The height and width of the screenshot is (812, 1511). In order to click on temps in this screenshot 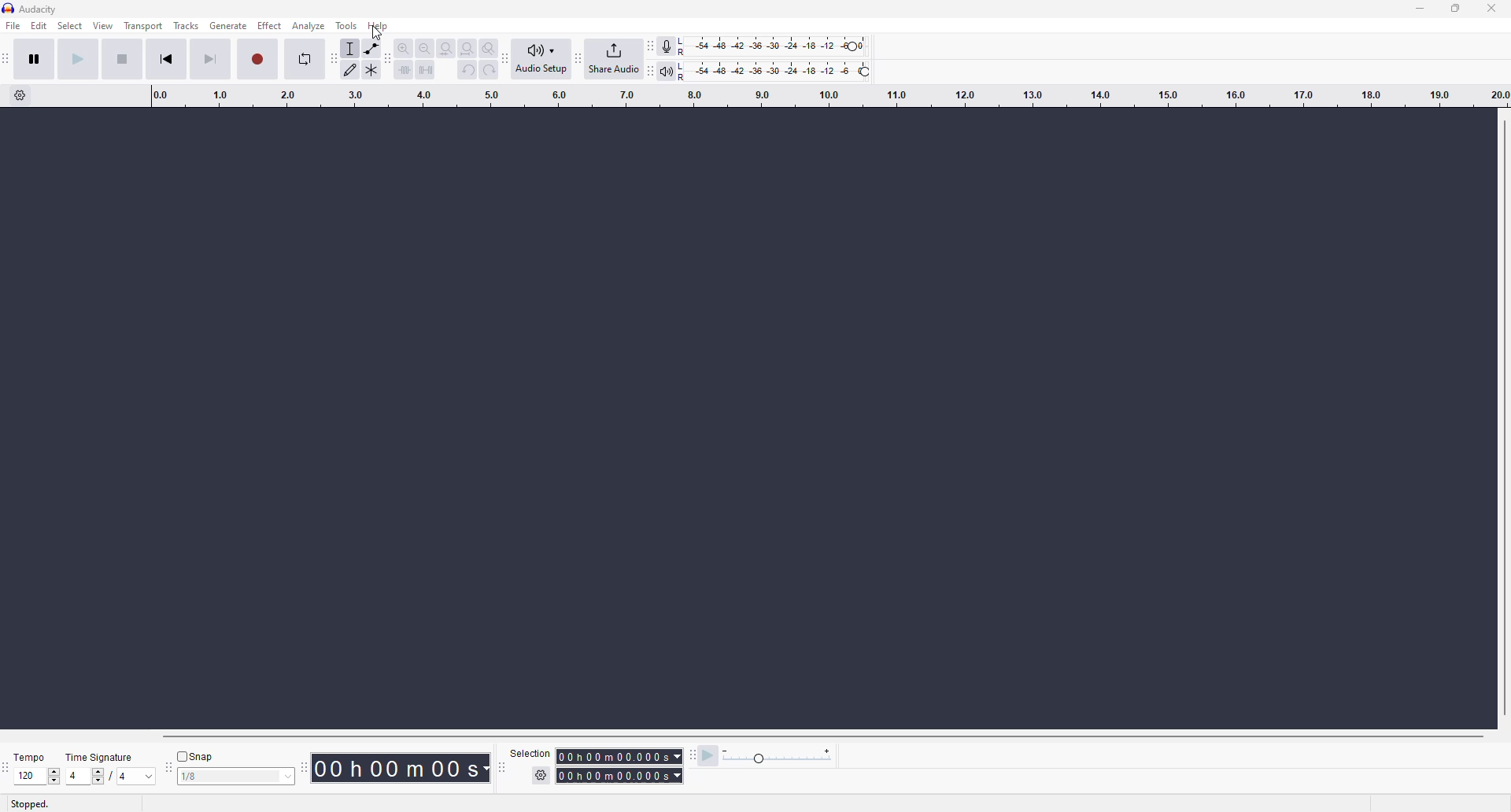, I will do `click(25, 753)`.